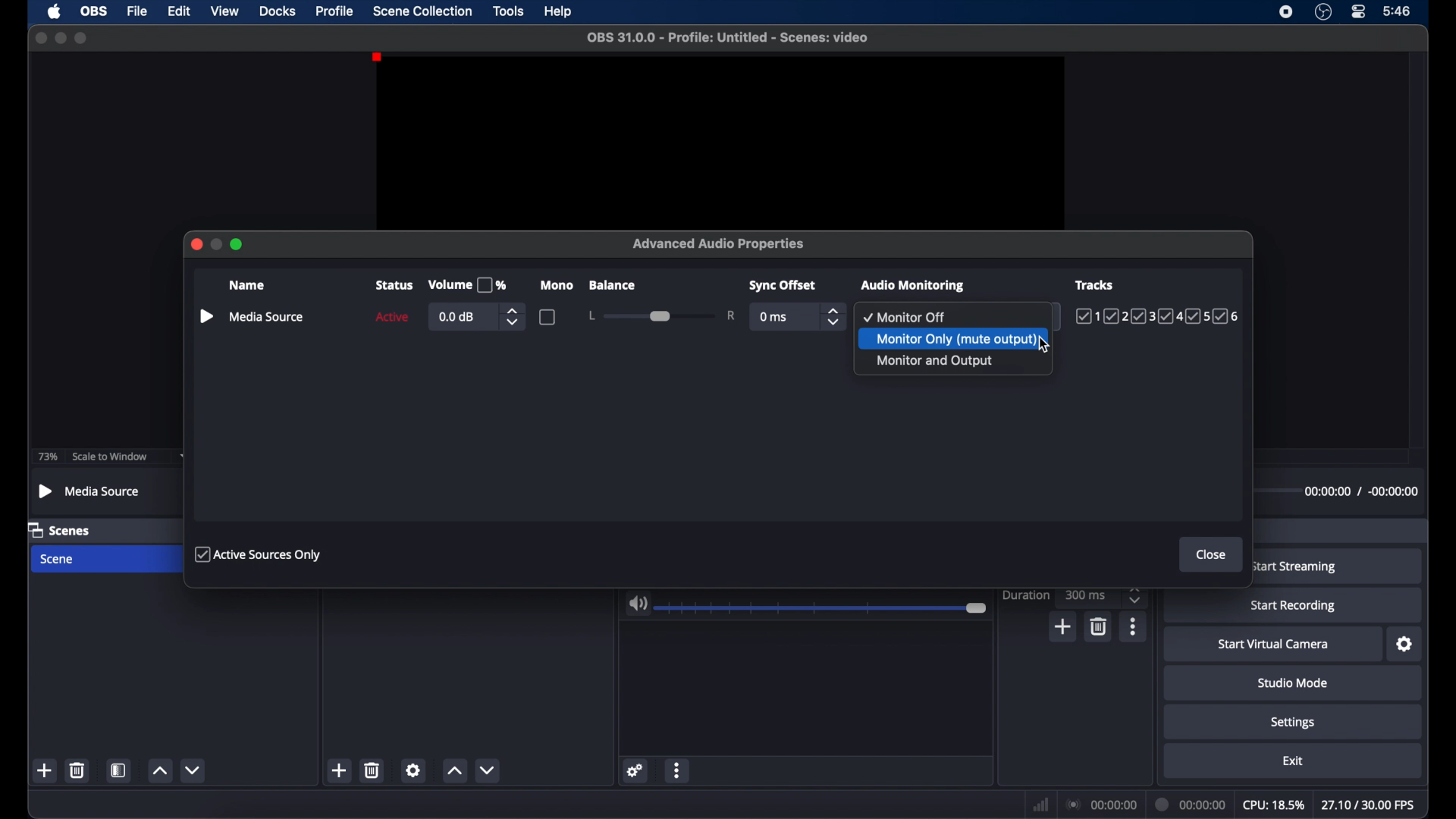 The image size is (1456, 819). Describe the element at coordinates (1296, 567) in the screenshot. I see `start streaming` at that location.